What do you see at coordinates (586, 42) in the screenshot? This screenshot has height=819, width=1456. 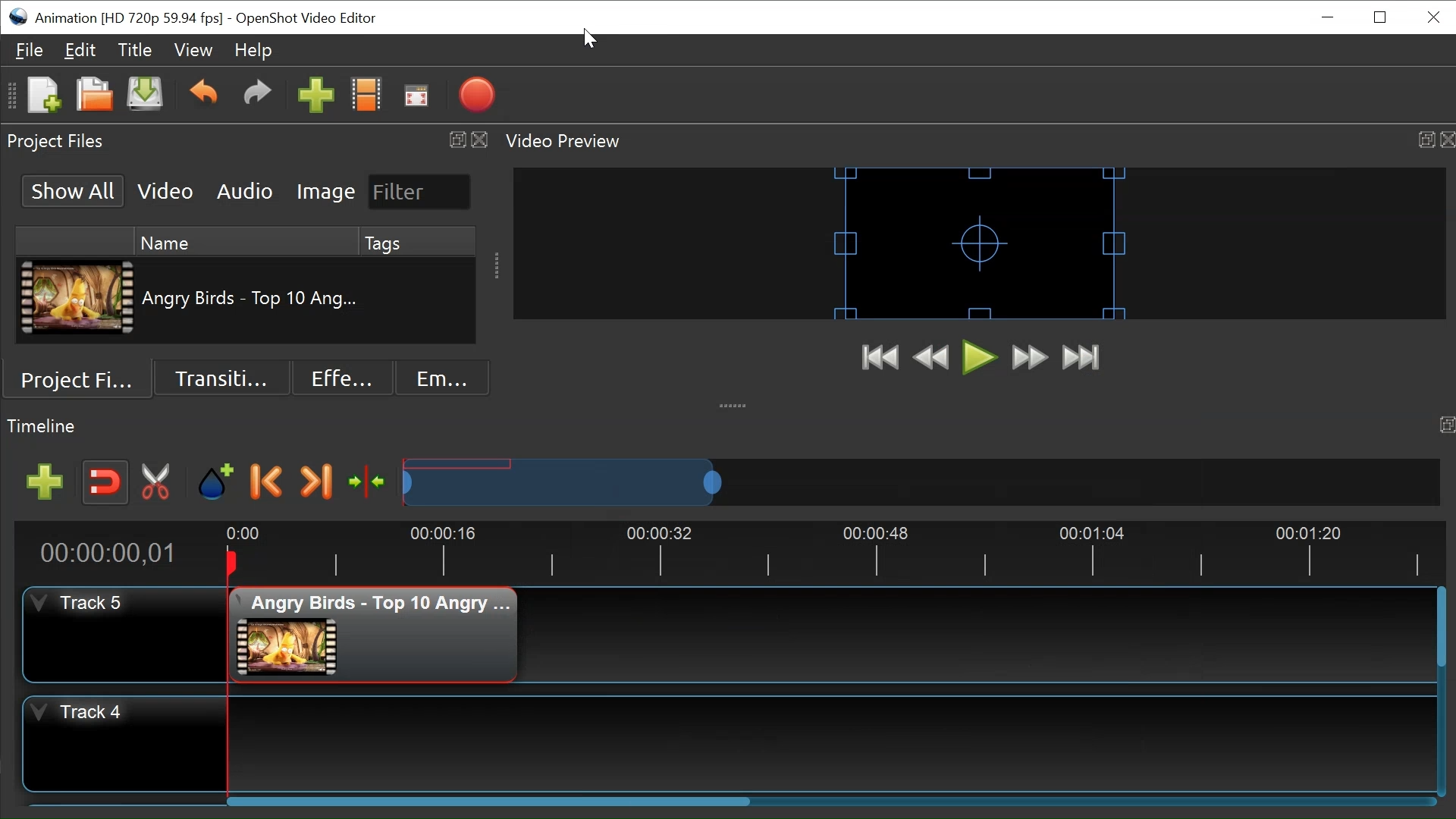 I see `Cursor` at bounding box center [586, 42].